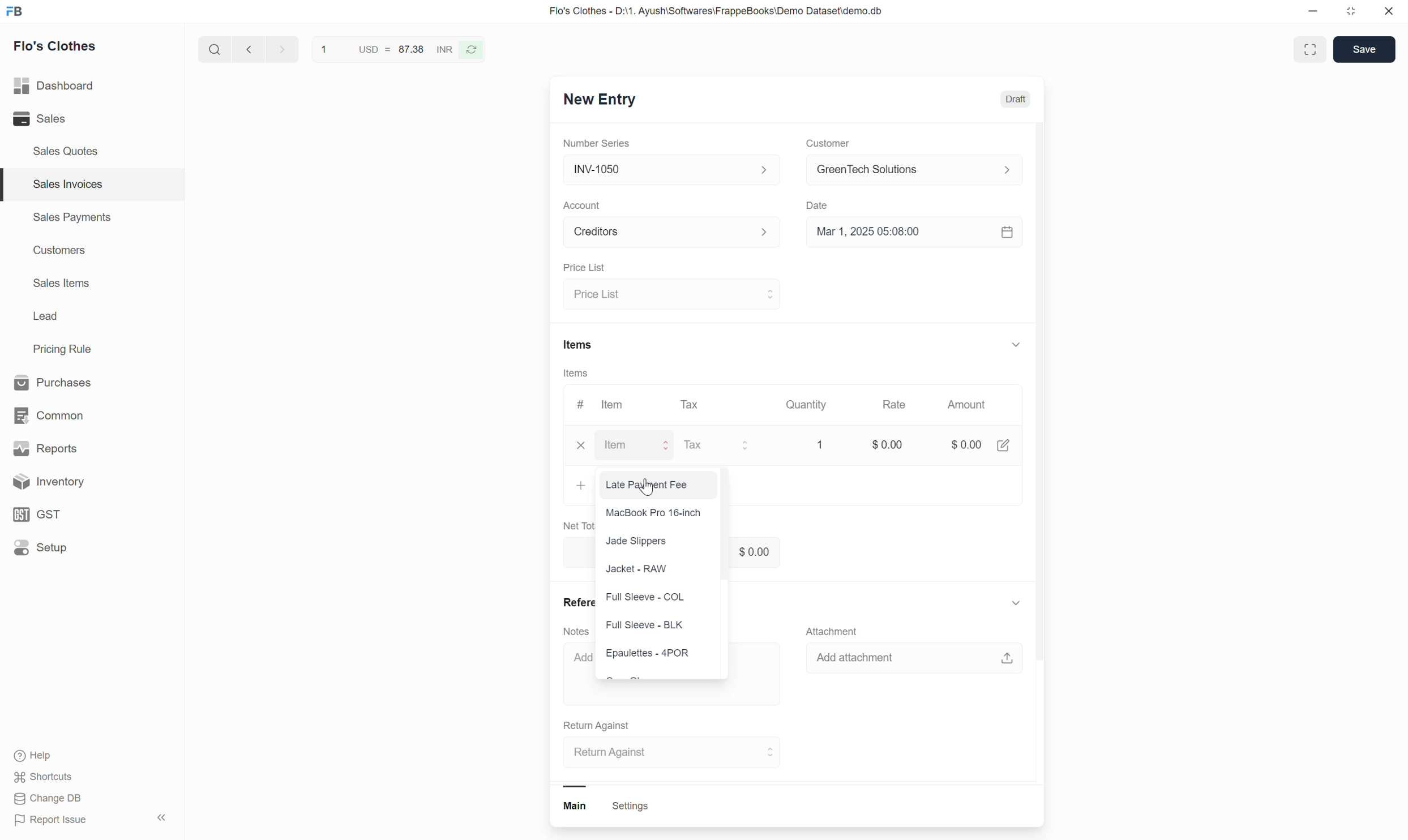  I want to click on Lead, so click(45, 318).